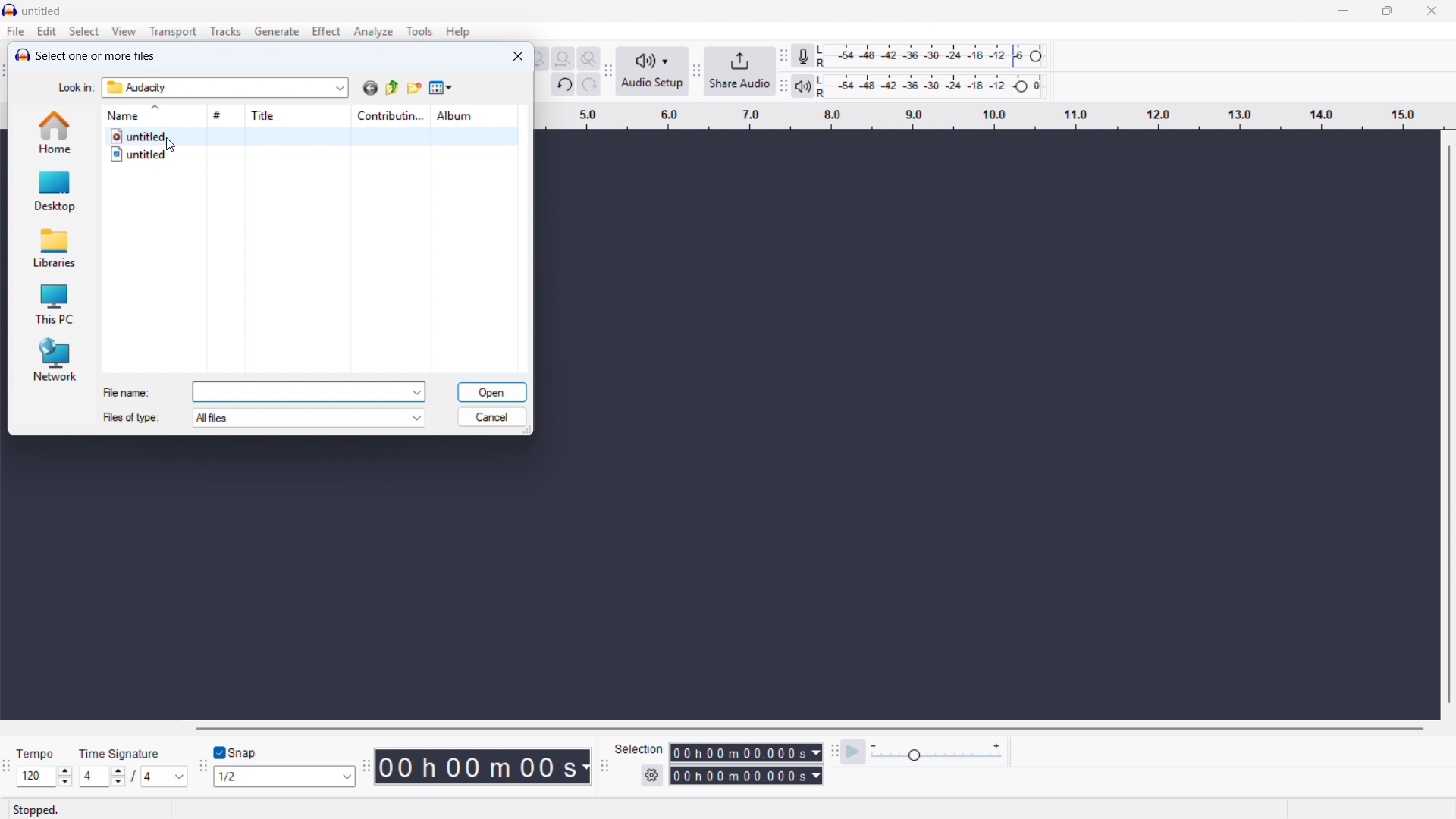 This screenshot has width=1456, height=819. I want to click on Libraries, so click(53, 246).